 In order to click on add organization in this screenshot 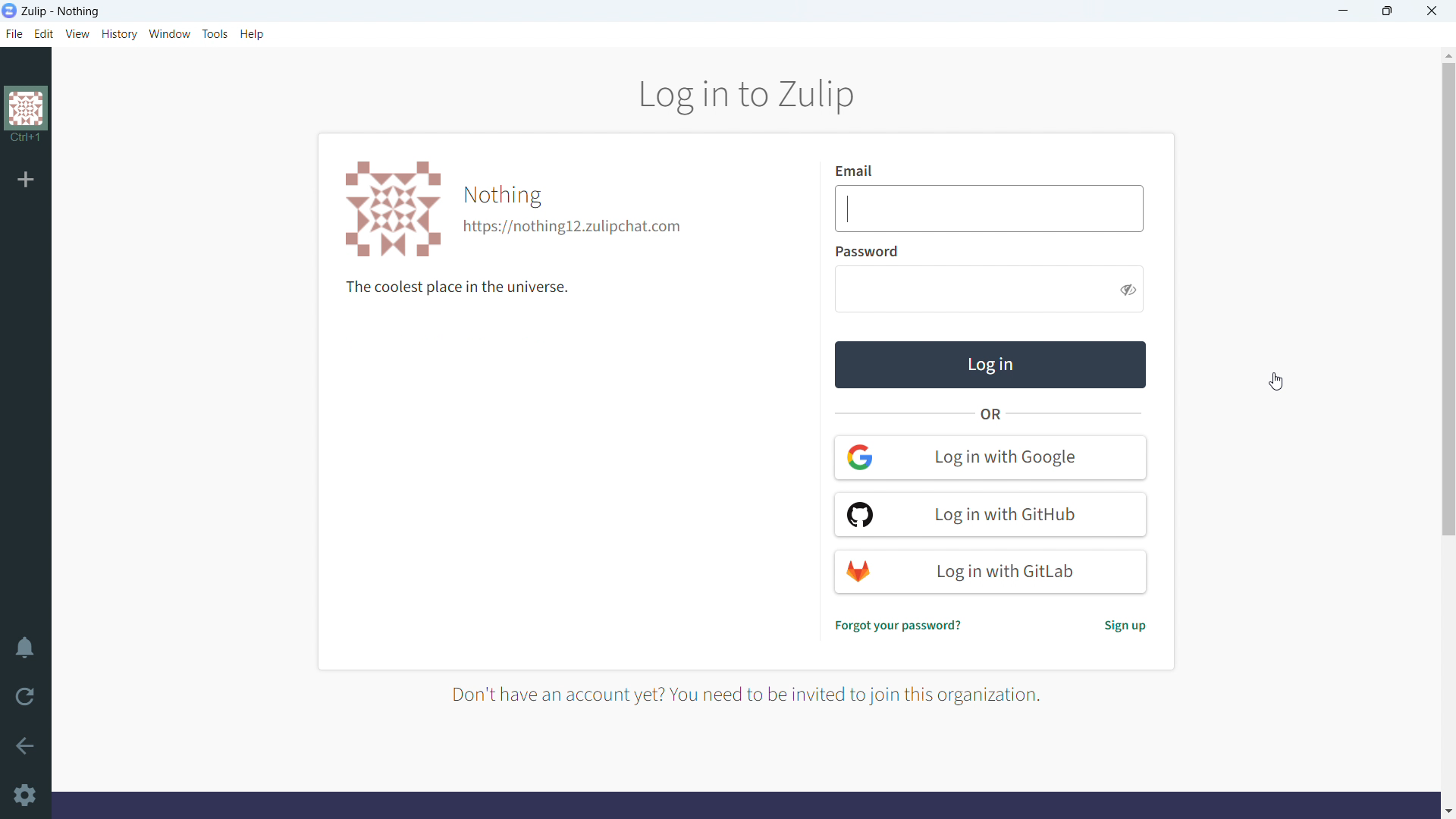, I will do `click(26, 179)`.